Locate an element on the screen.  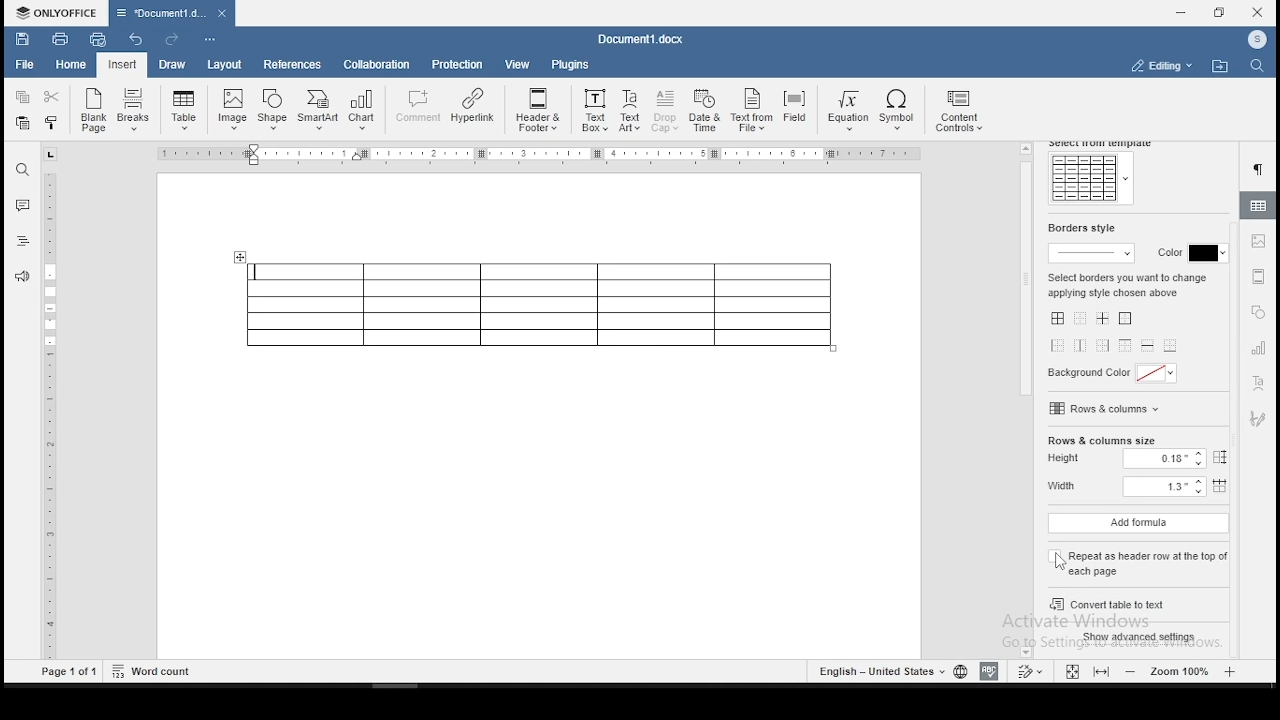
find is located at coordinates (23, 168).